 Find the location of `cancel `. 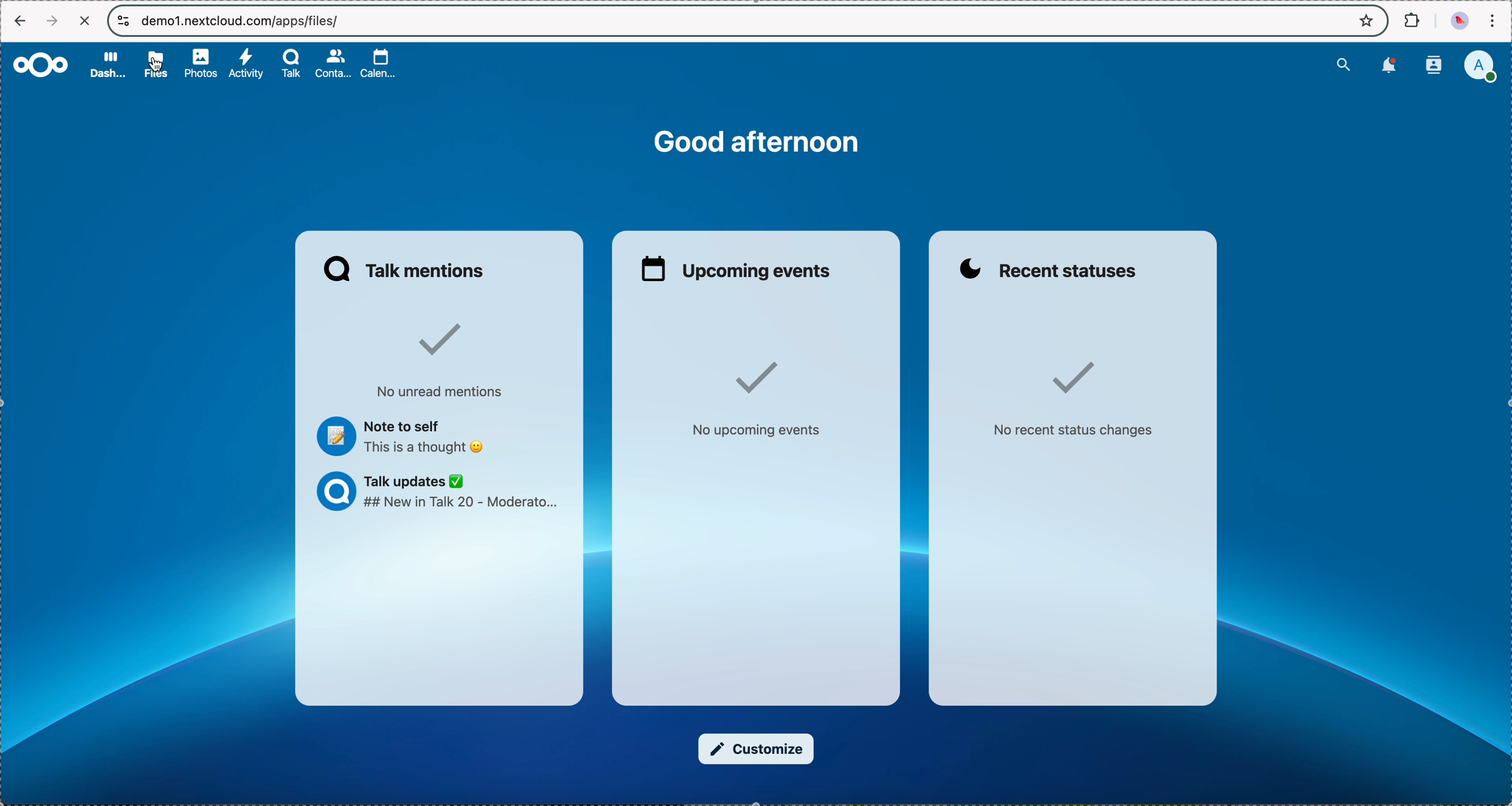

cancel  is located at coordinates (85, 21).